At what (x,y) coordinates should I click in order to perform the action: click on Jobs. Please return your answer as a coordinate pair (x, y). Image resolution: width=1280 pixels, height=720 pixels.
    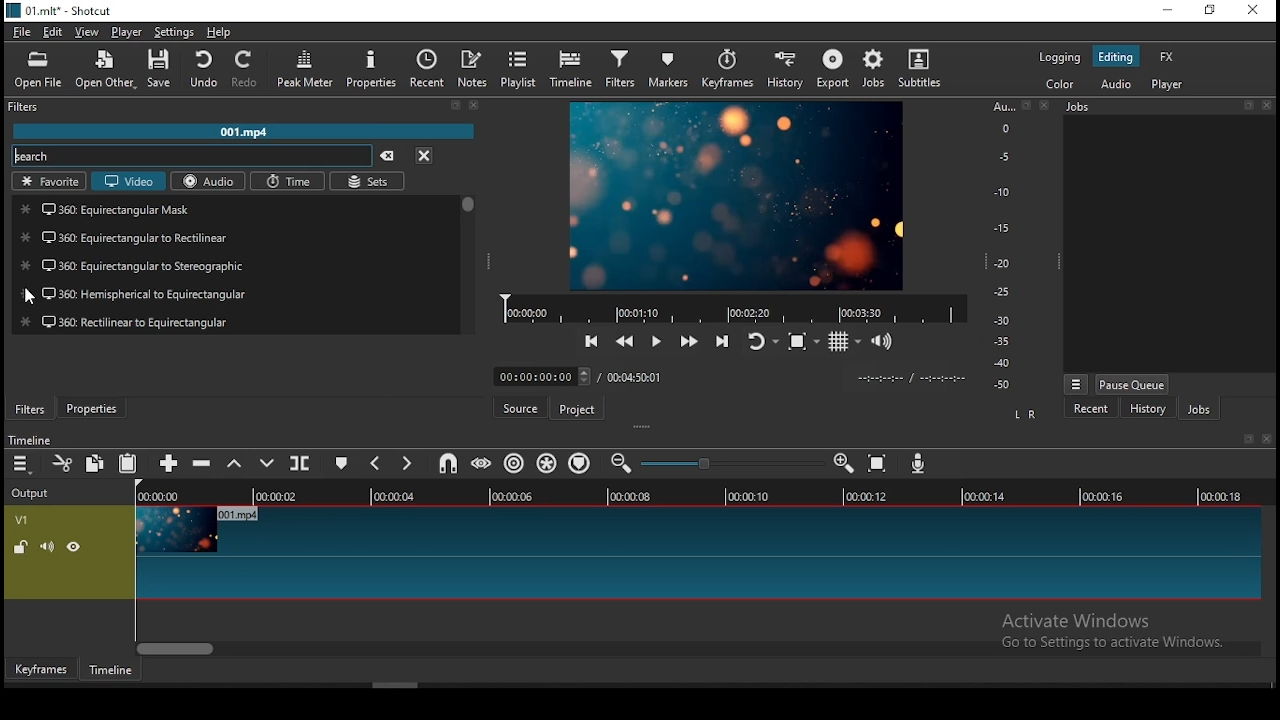
    Looking at the image, I should click on (1084, 107).